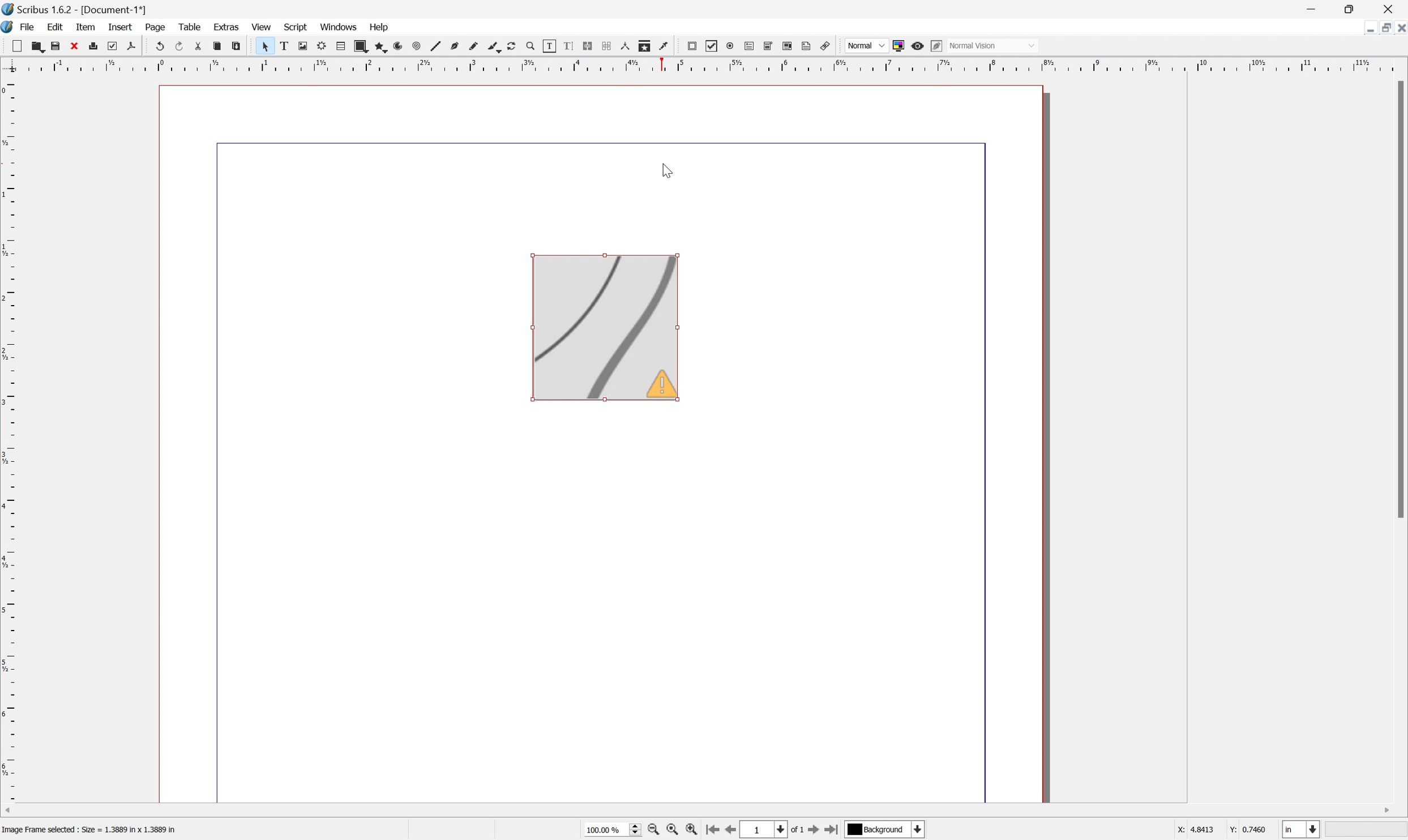 The height and width of the screenshot is (840, 1408). What do you see at coordinates (339, 26) in the screenshot?
I see `Windows` at bounding box center [339, 26].